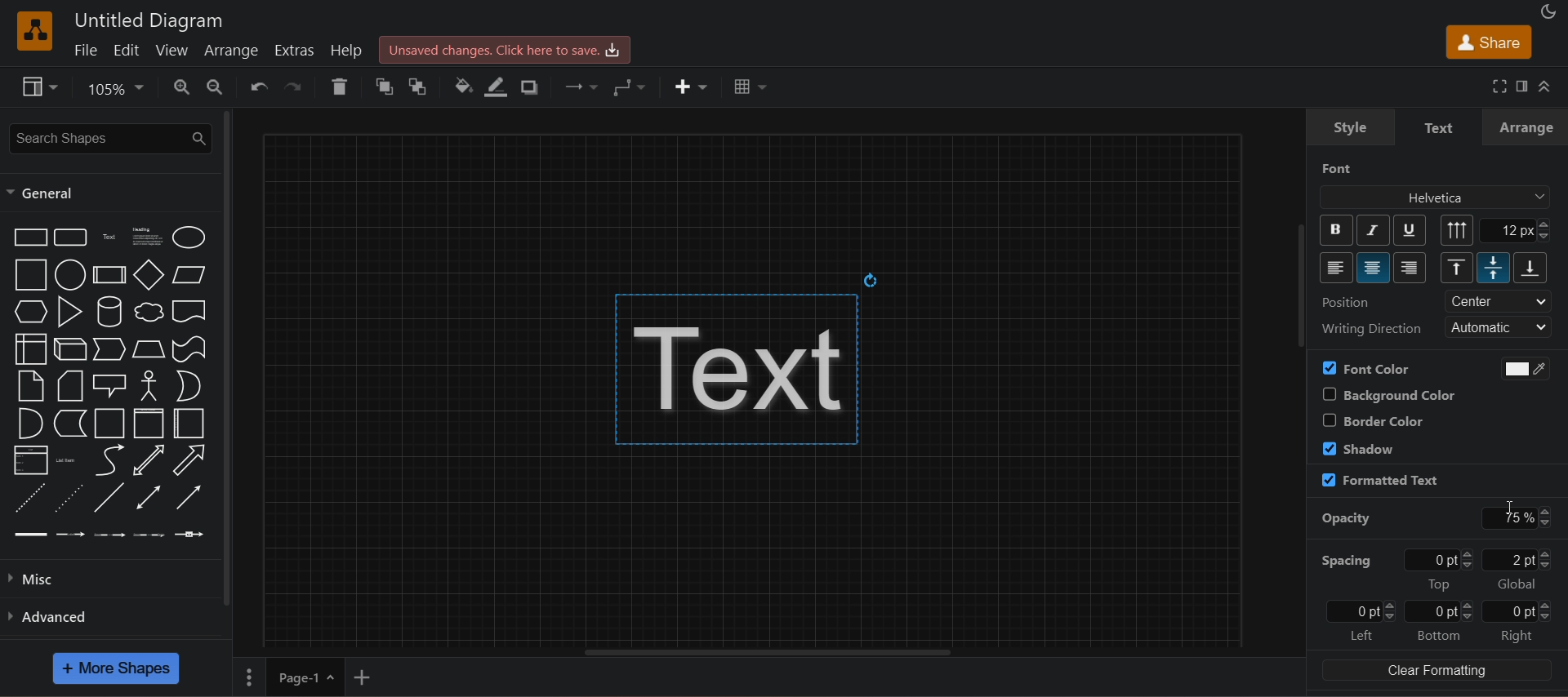 This screenshot has height=697, width=1568. Describe the element at coordinates (31, 423) in the screenshot. I see `and` at that location.